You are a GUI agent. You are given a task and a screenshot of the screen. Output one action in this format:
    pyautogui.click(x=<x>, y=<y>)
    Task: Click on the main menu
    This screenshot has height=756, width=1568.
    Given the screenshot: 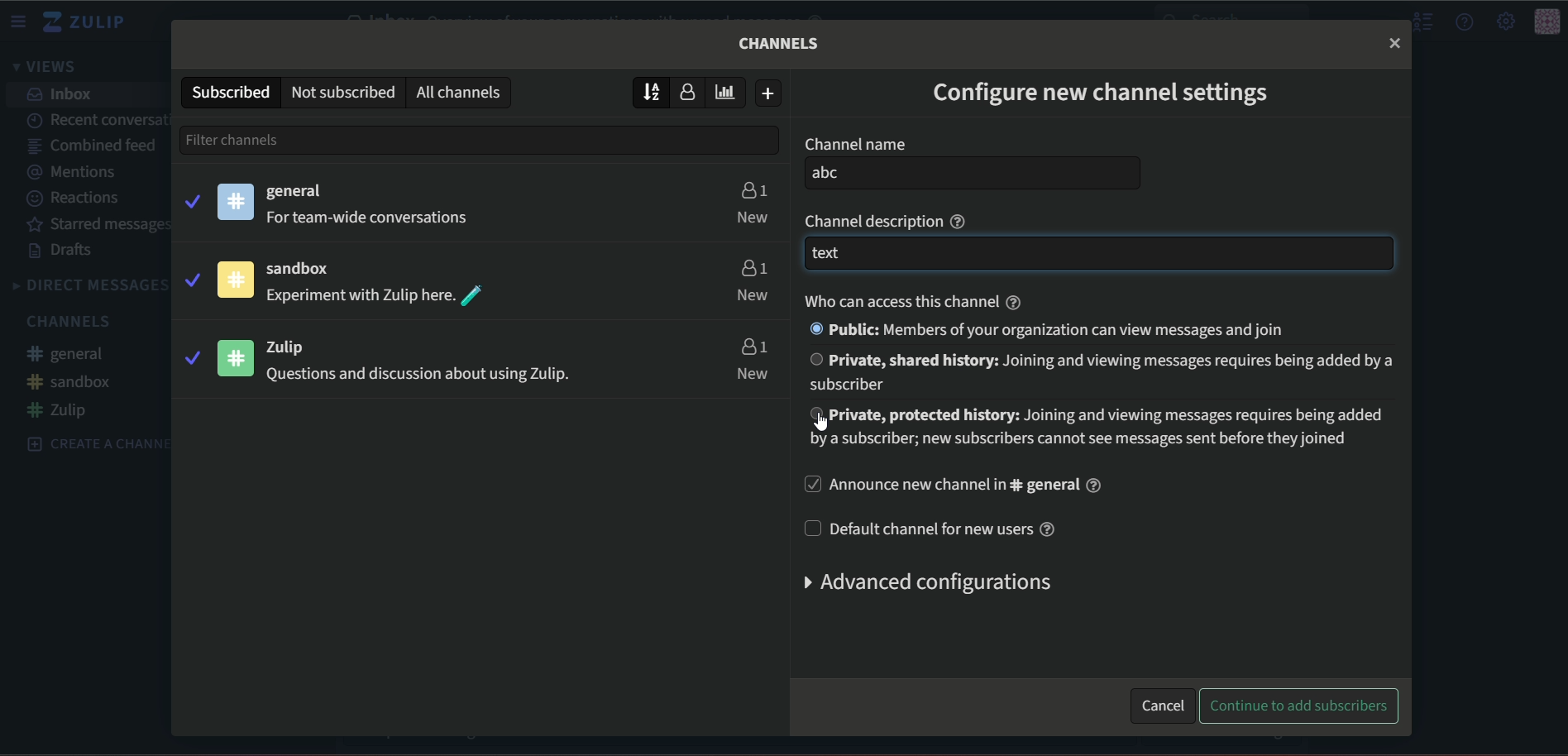 What is the action you would take?
    pyautogui.click(x=1504, y=21)
    